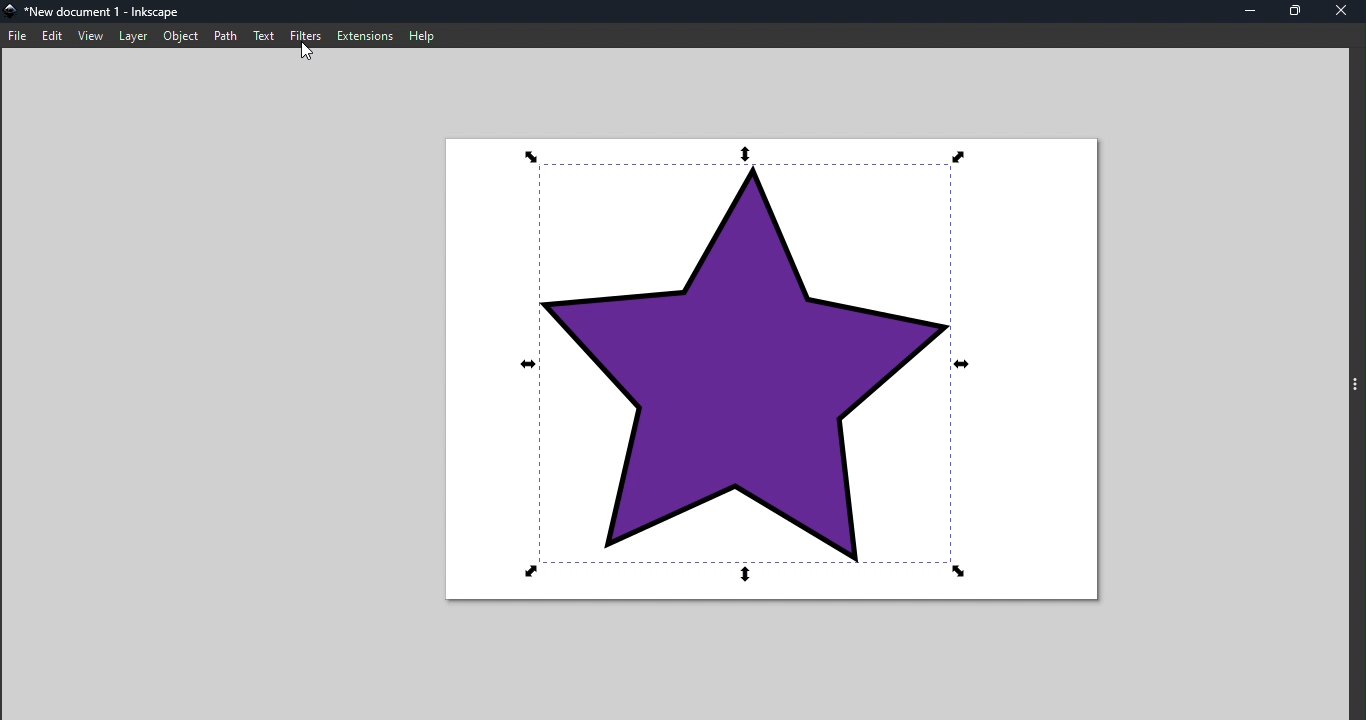 The height and width of the screenshot is (720, 1366). What do you see at coordinates (52, 35) in the screenshot?
I see `Edit` at bounding box center [52, 35].